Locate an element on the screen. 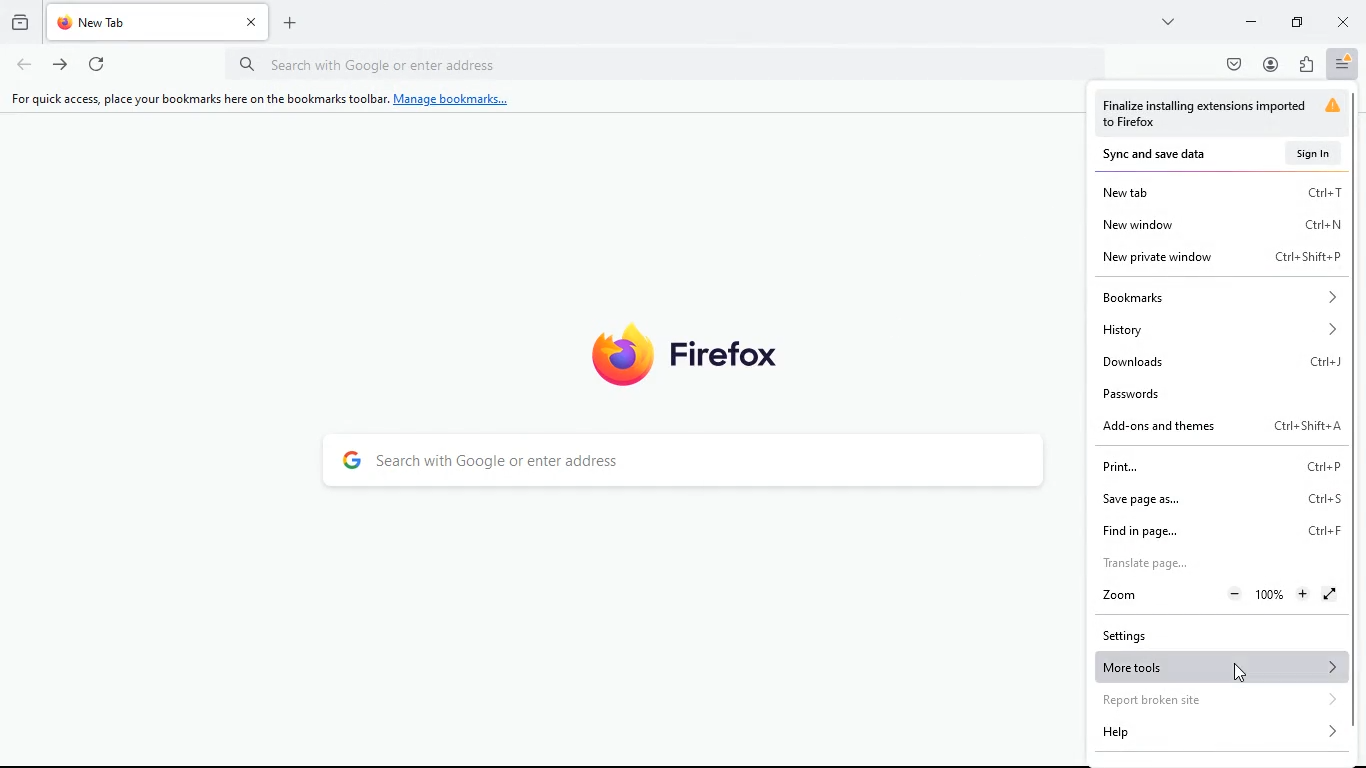 Image resolution: width=1366 pixels, height=768 pixels. maximize is located at coordinates (1294, 21).